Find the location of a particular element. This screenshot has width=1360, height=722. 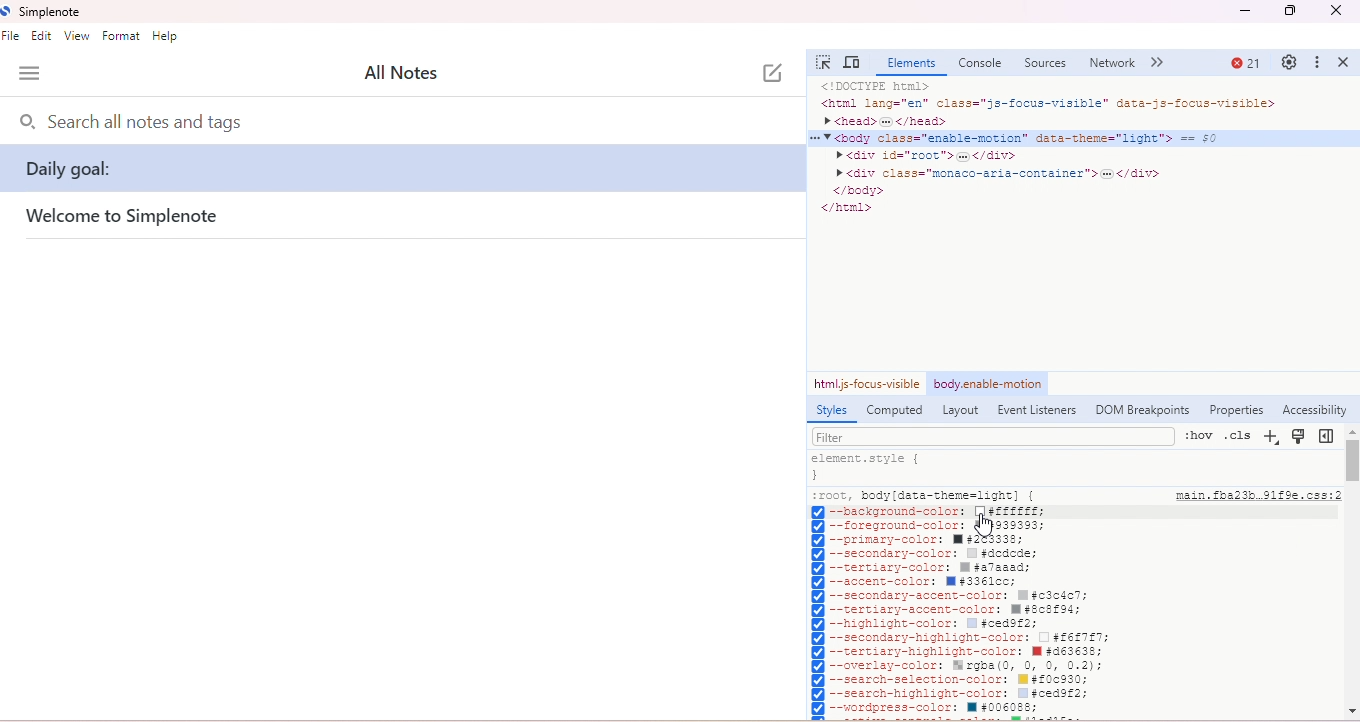

select element is located at coordinates (824, 62).